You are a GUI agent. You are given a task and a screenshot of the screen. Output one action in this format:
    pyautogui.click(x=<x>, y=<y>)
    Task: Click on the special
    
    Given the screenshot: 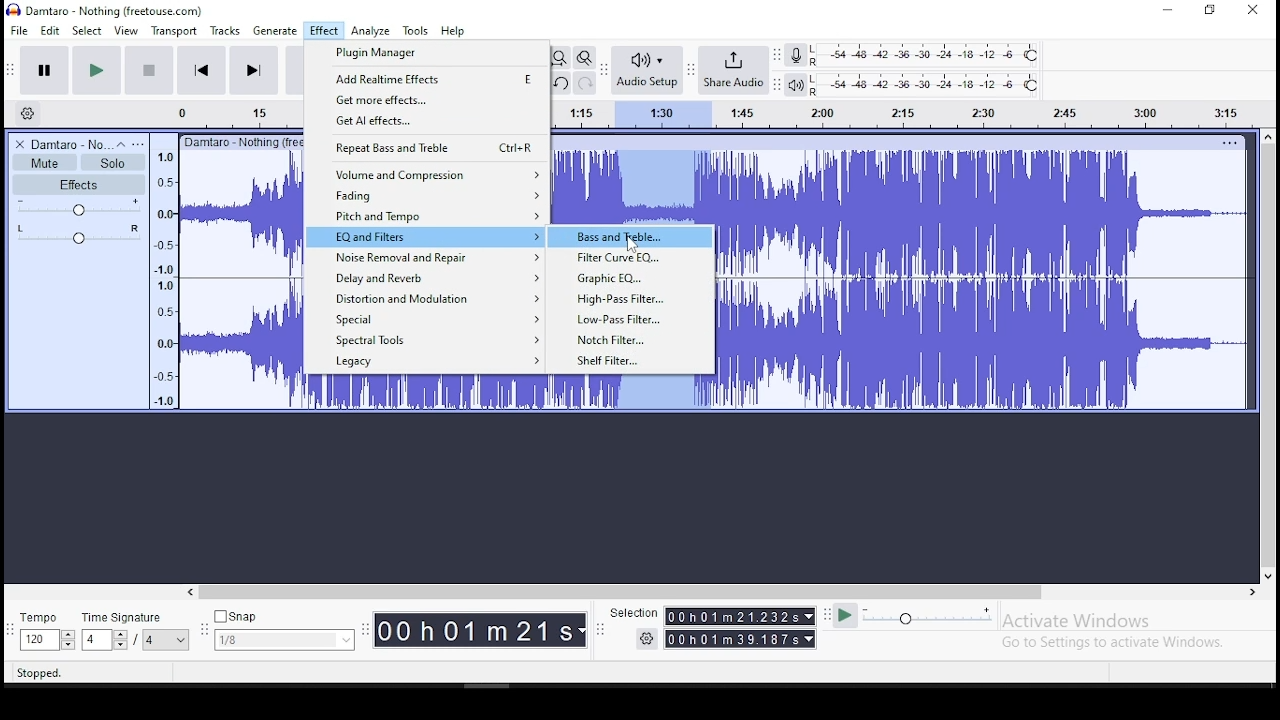 What is the action you would take?
    pyautogui.click(x=426, y=320)
    